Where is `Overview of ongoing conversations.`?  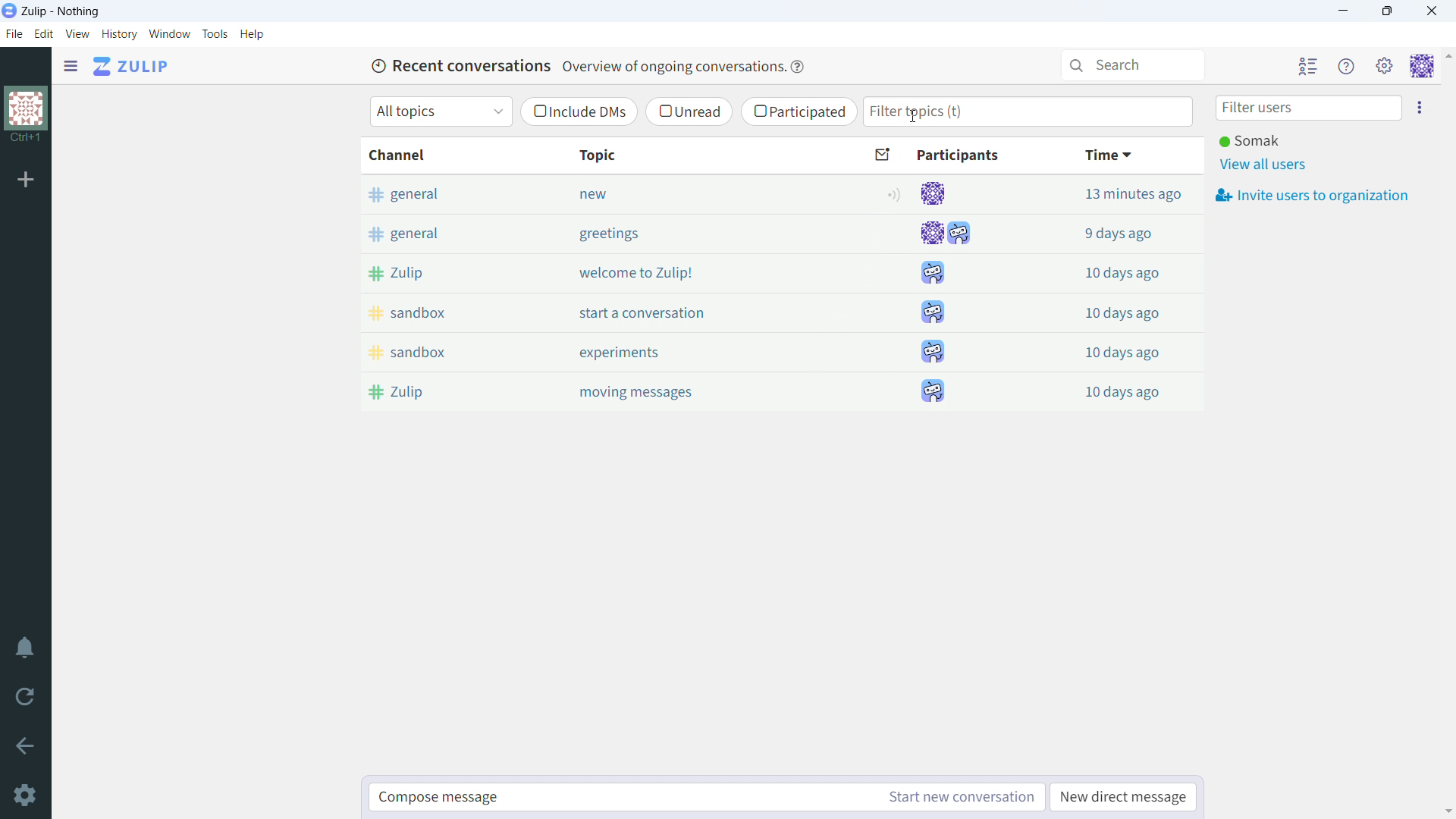 Overview of ongoing conversations. is located at coordinates (671, 67).